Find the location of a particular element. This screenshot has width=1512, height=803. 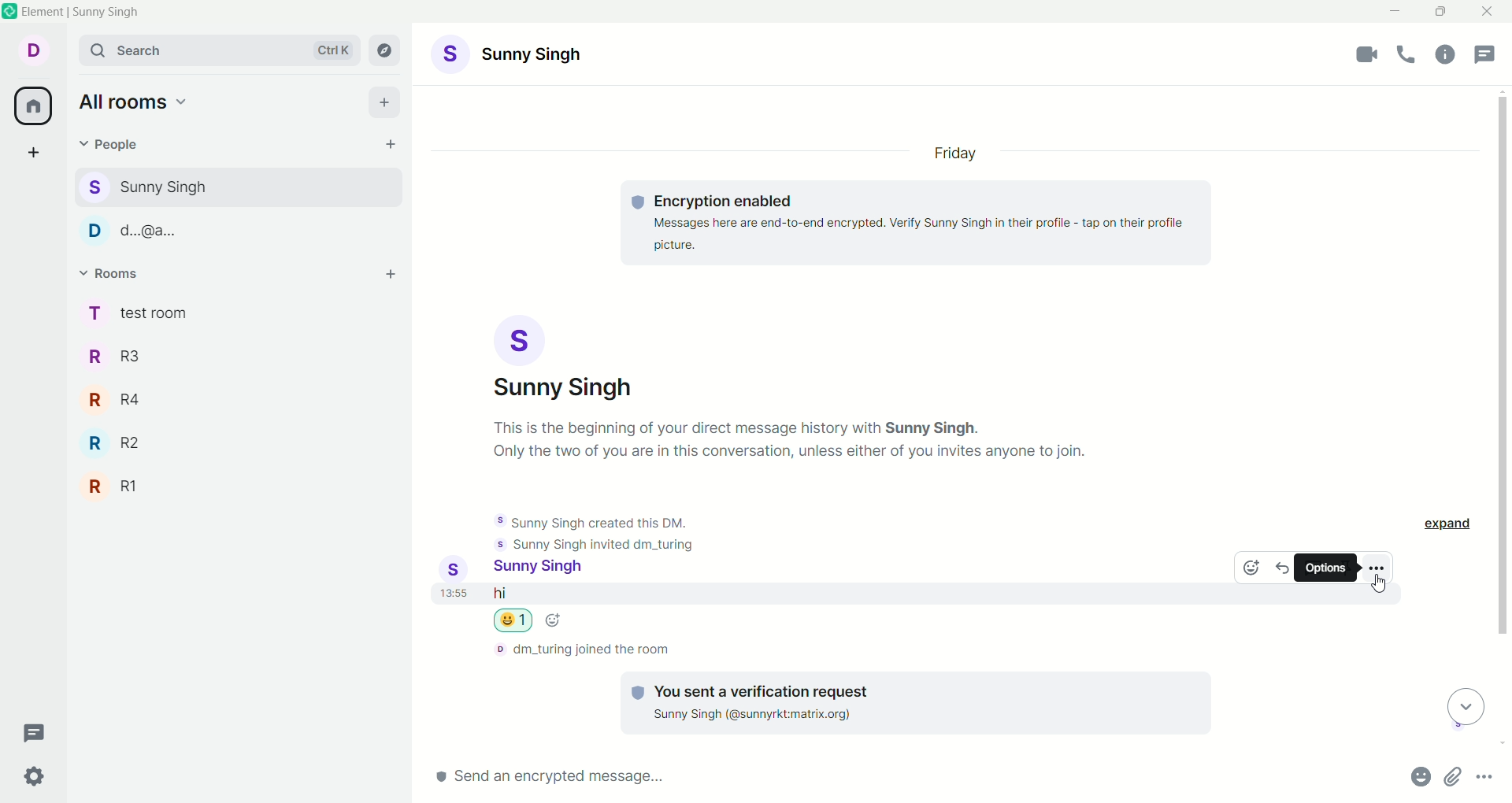

add is located at coordinates (386, 105).